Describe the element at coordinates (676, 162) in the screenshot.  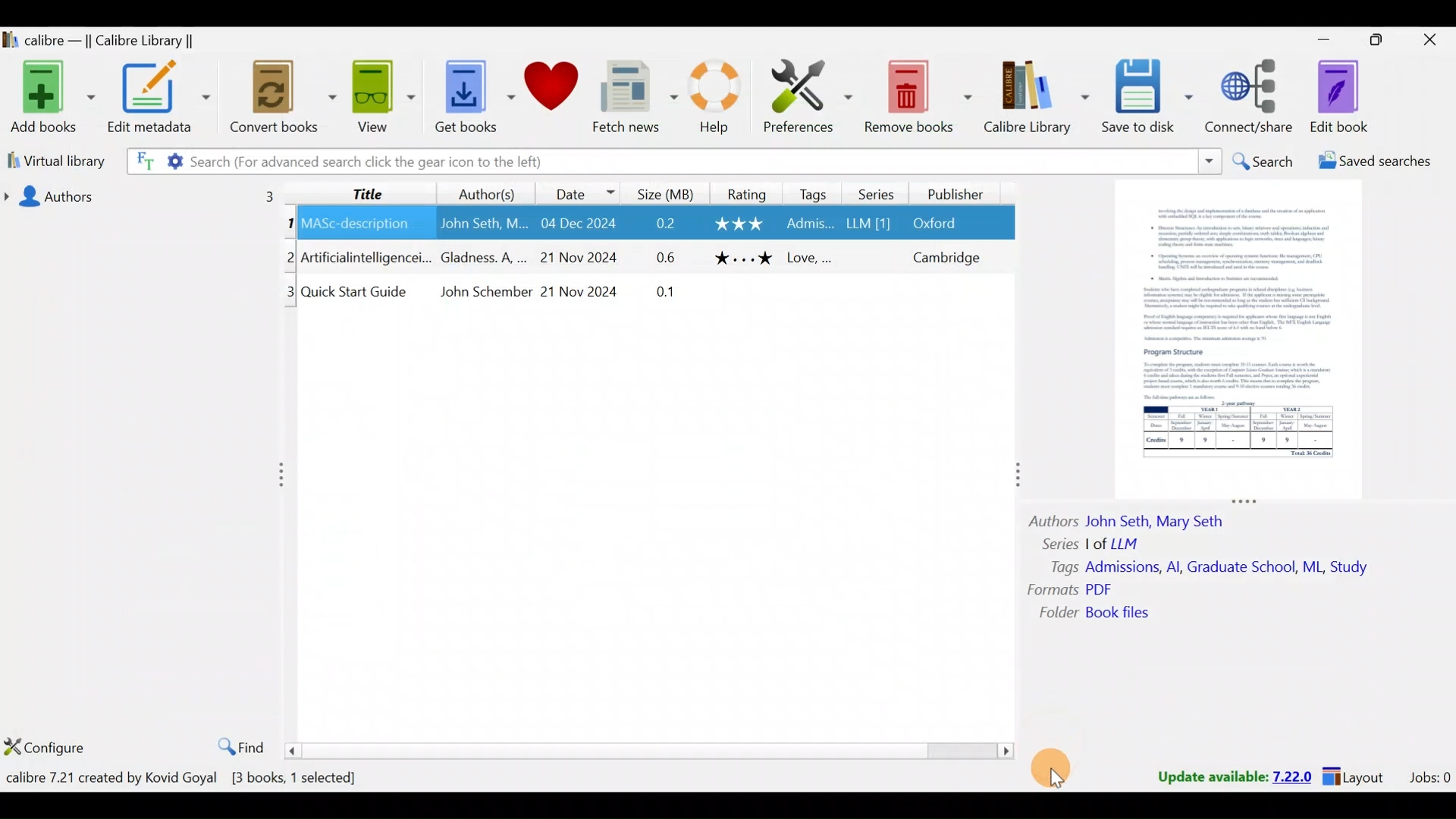
I see `Search bar` at that location.